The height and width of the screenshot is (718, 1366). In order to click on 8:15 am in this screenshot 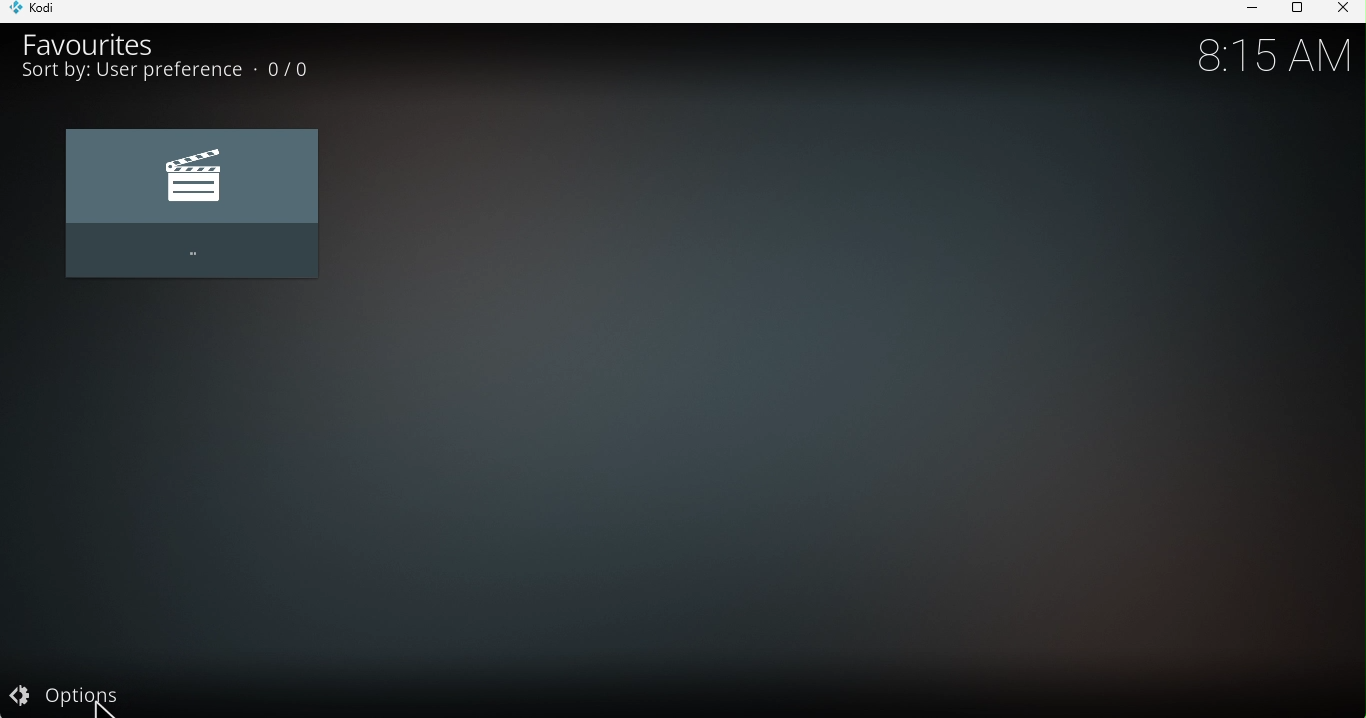, I will do `click(1271, 56)`.